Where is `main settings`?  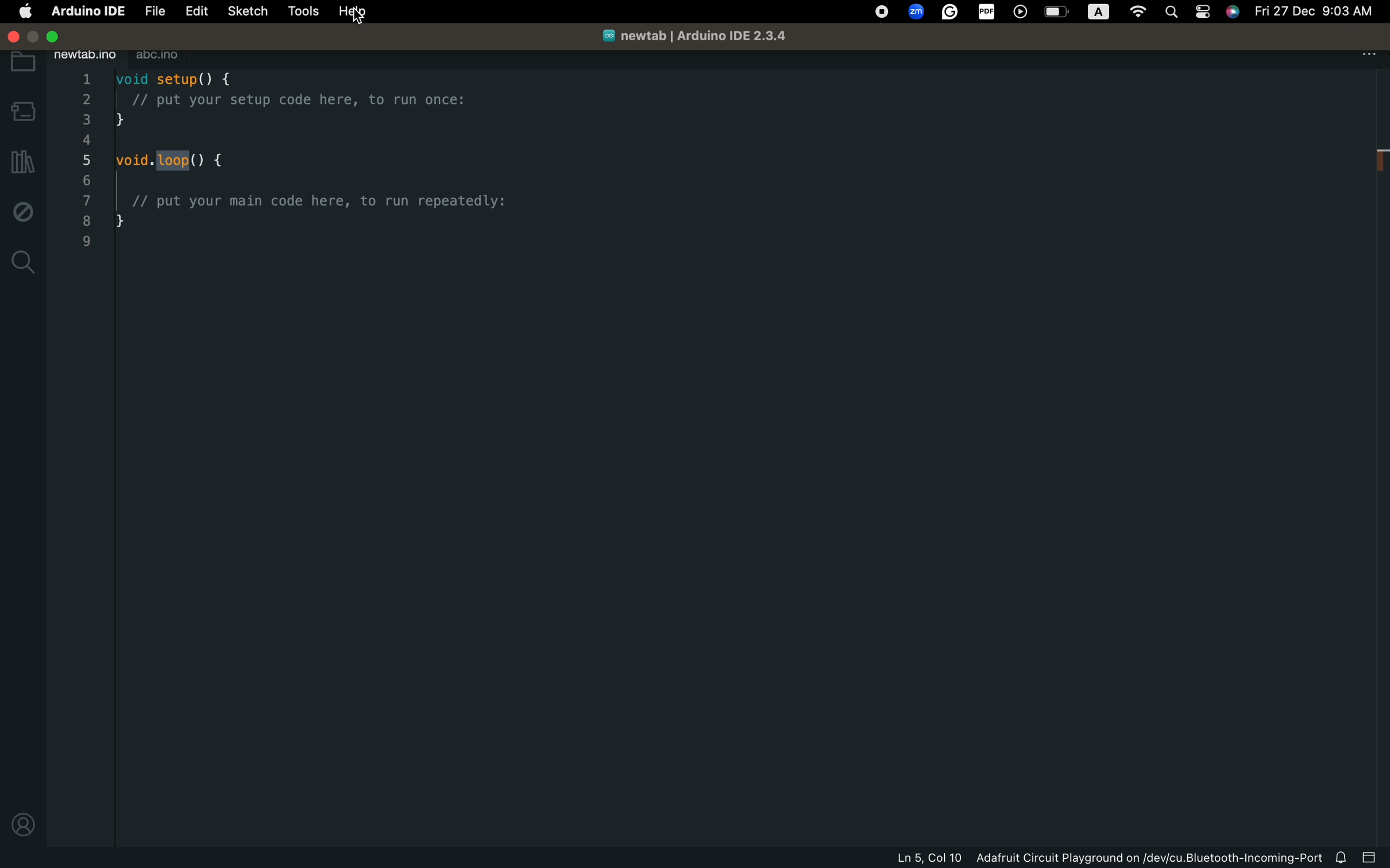
main settings is located at coordinates (1368, 54).